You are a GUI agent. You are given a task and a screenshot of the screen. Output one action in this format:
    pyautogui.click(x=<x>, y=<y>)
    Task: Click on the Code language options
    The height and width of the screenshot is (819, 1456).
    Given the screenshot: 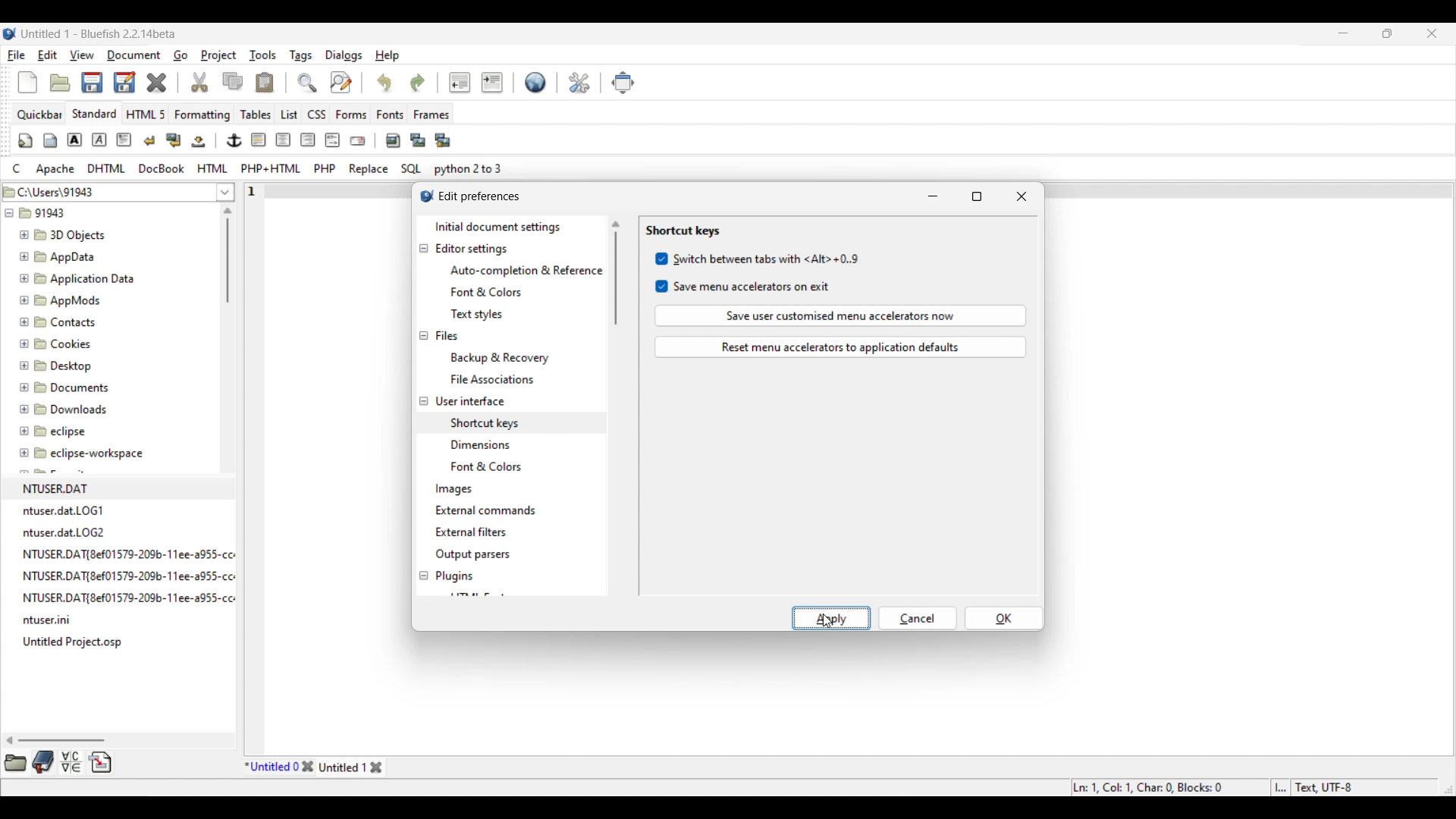 What is the action you would take?
    pyautogui.click(x=258, y=168)
    